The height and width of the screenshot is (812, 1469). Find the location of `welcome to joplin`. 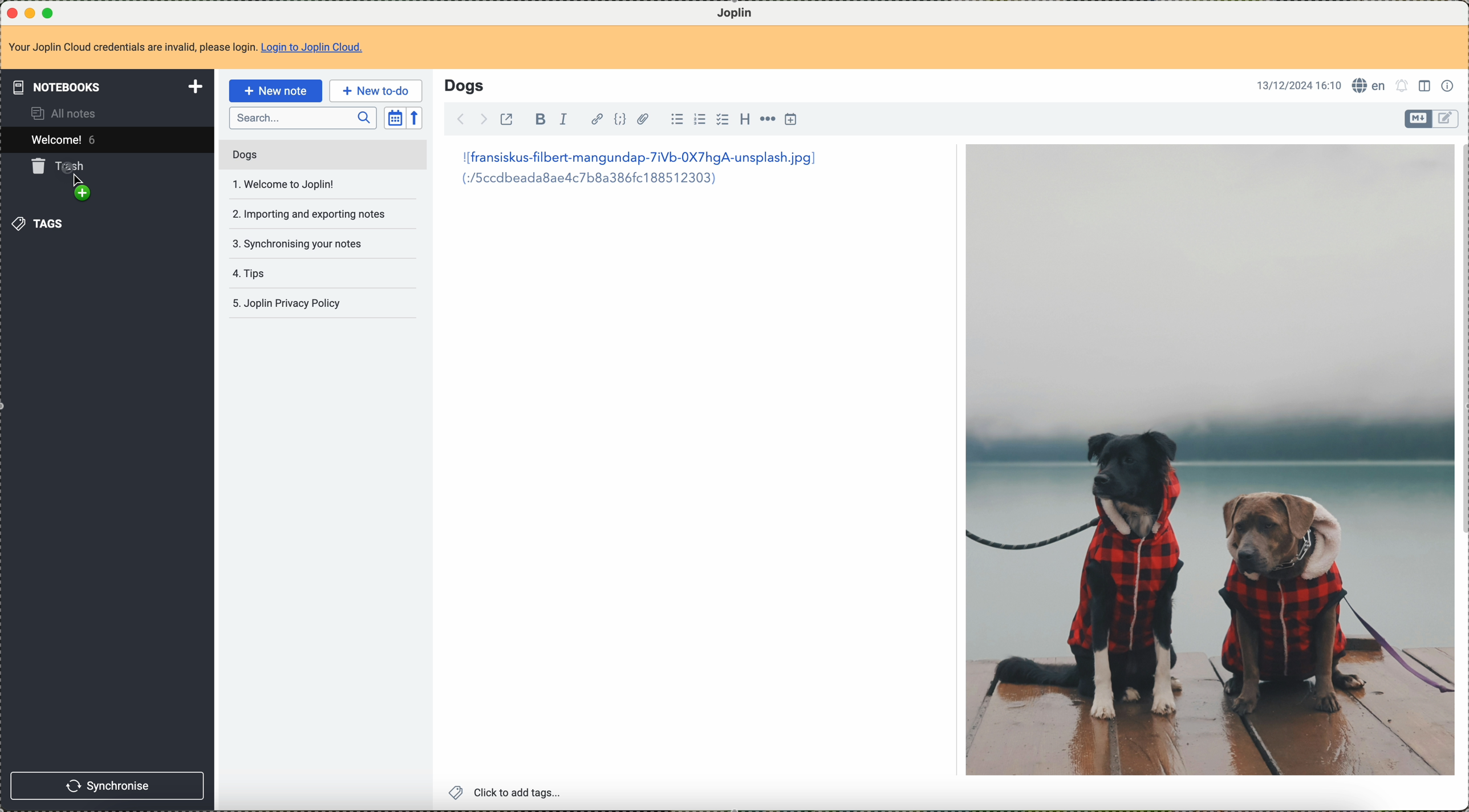

welcome to joplin is located at coordinates (286, 184).